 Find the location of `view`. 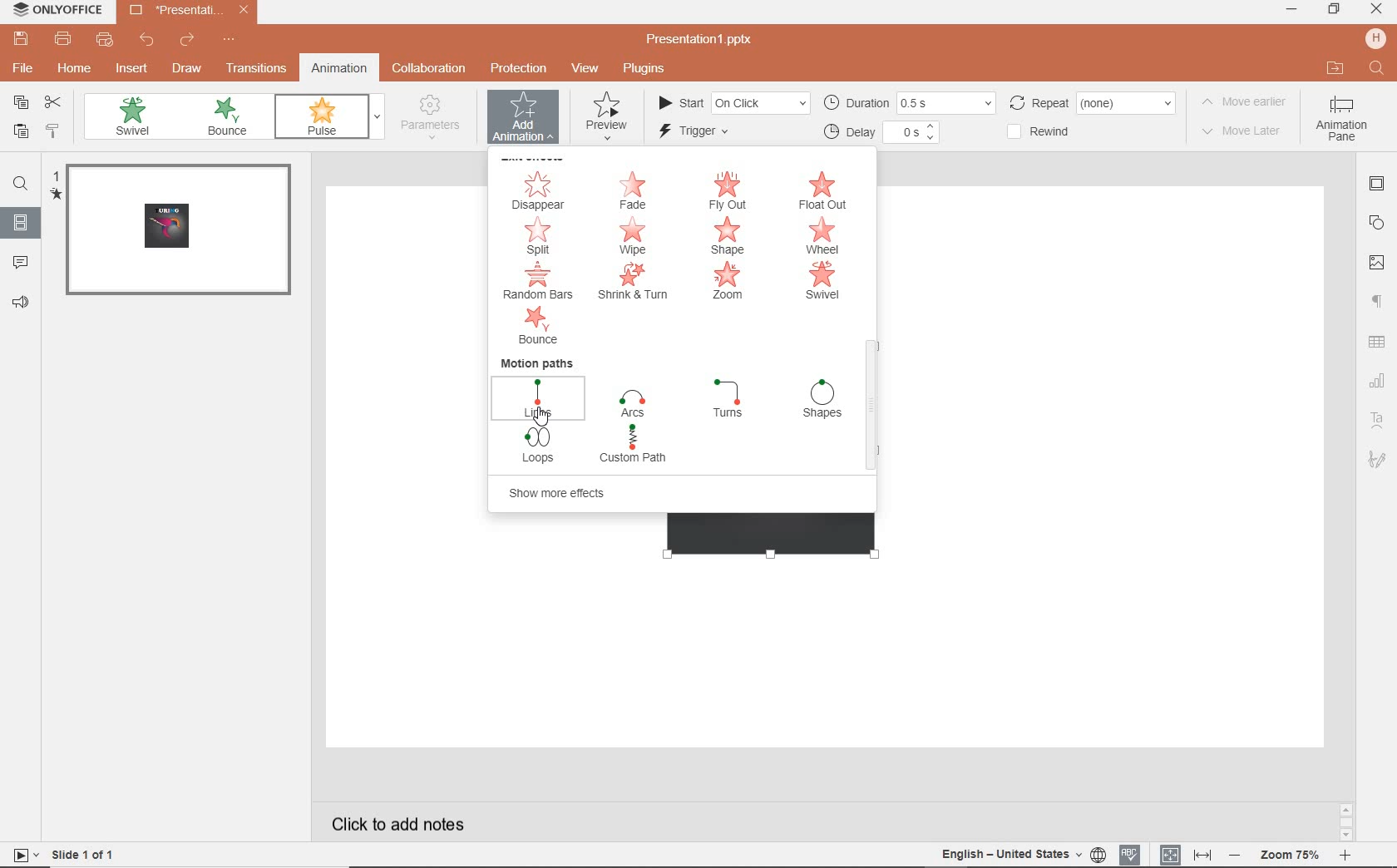

view is located at coordinates (584, 70).